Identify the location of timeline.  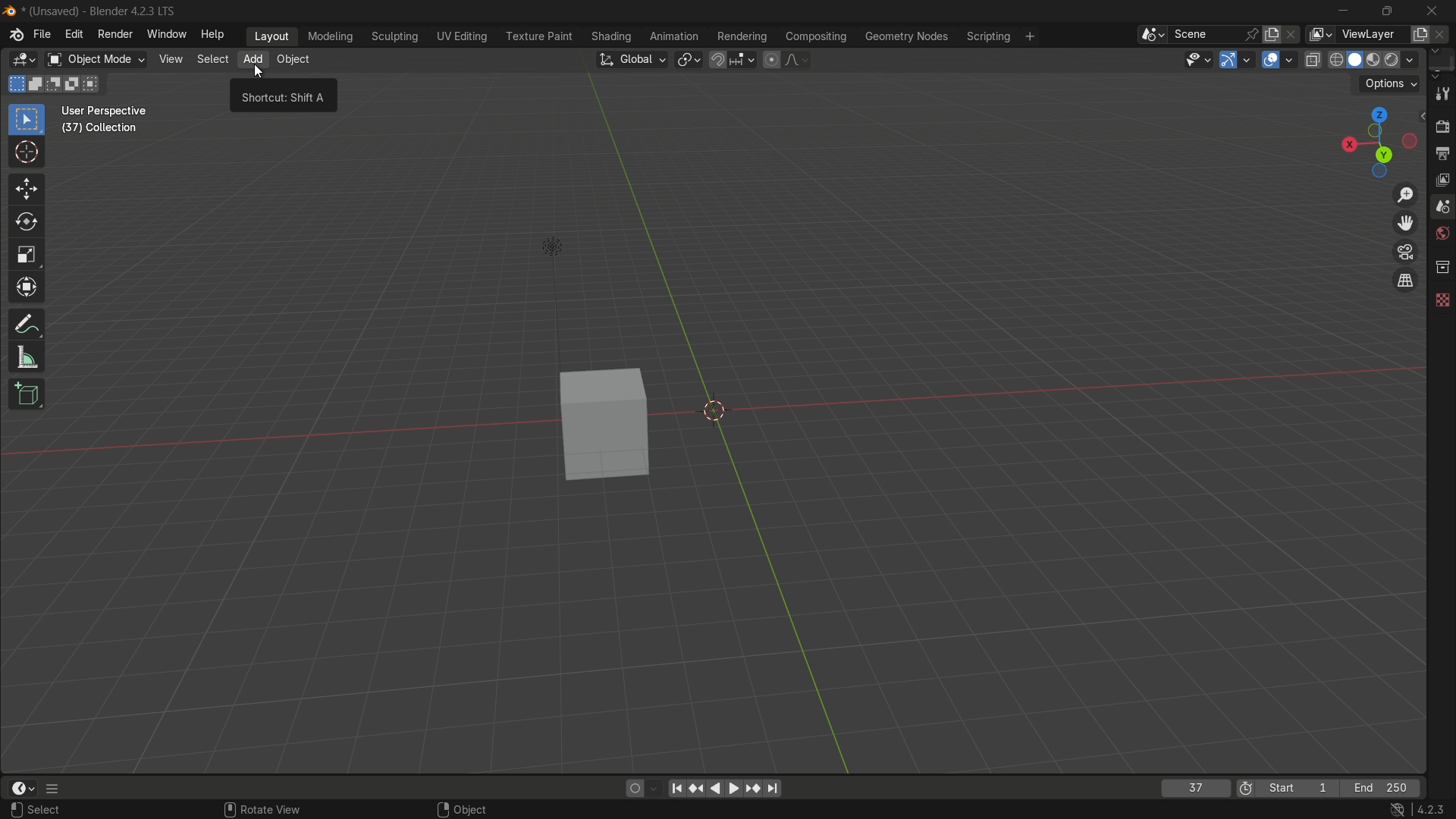
(25, 788).